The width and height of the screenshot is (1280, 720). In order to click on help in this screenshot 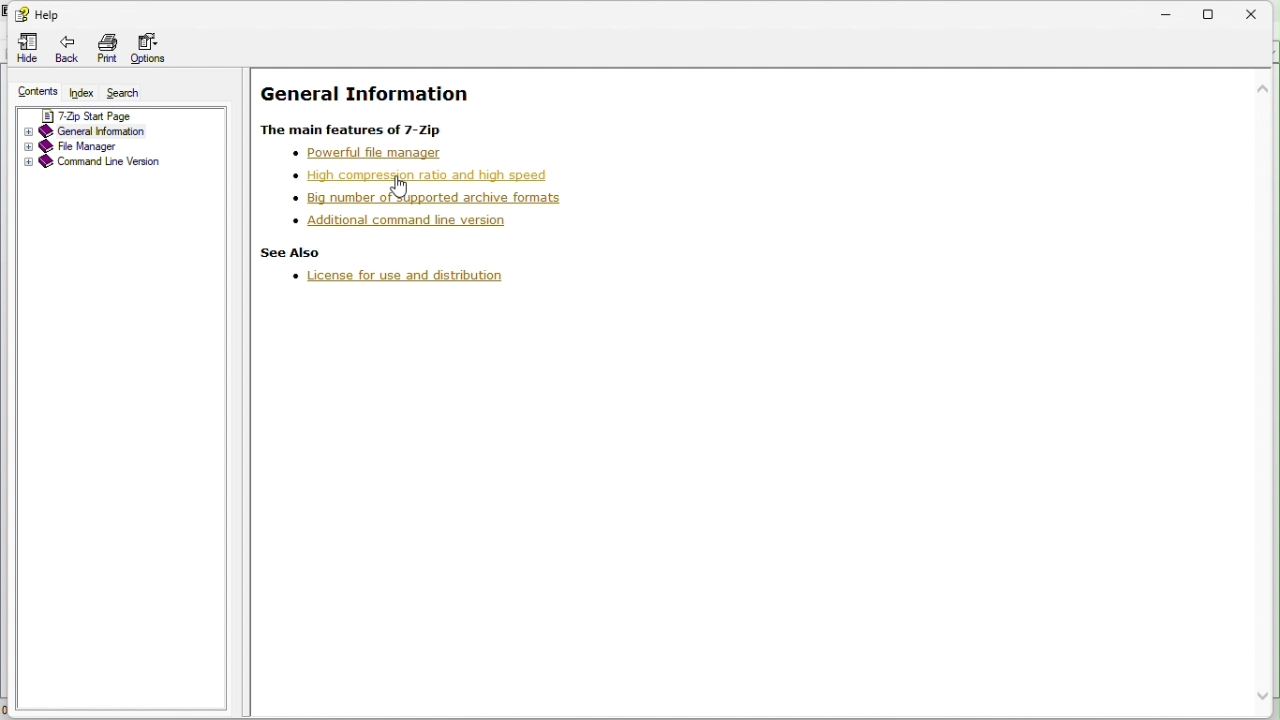, I will do `click(40, 12)`.